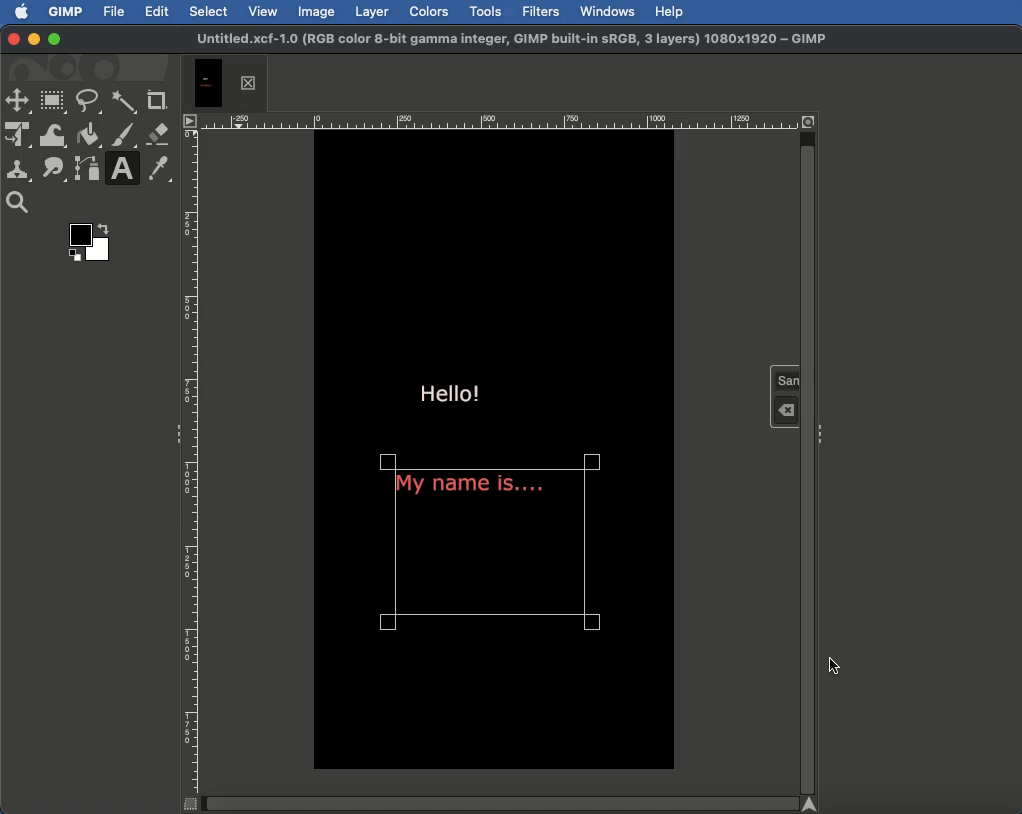  Describe the element at coordinates (511, 40) in the screenshot. I see `GIMP project` at that location.